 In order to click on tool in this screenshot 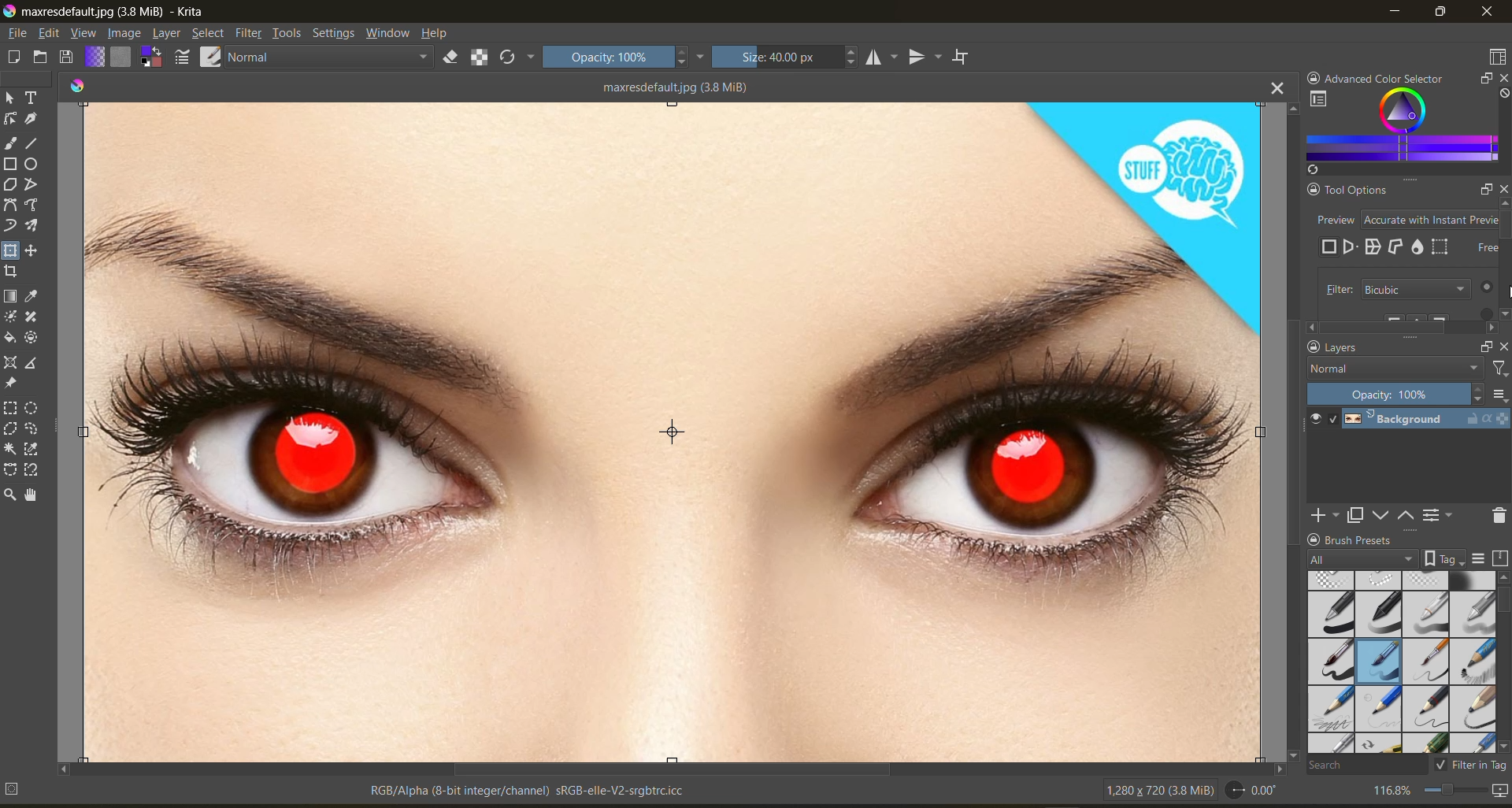, I will do `click(11, 409)`.